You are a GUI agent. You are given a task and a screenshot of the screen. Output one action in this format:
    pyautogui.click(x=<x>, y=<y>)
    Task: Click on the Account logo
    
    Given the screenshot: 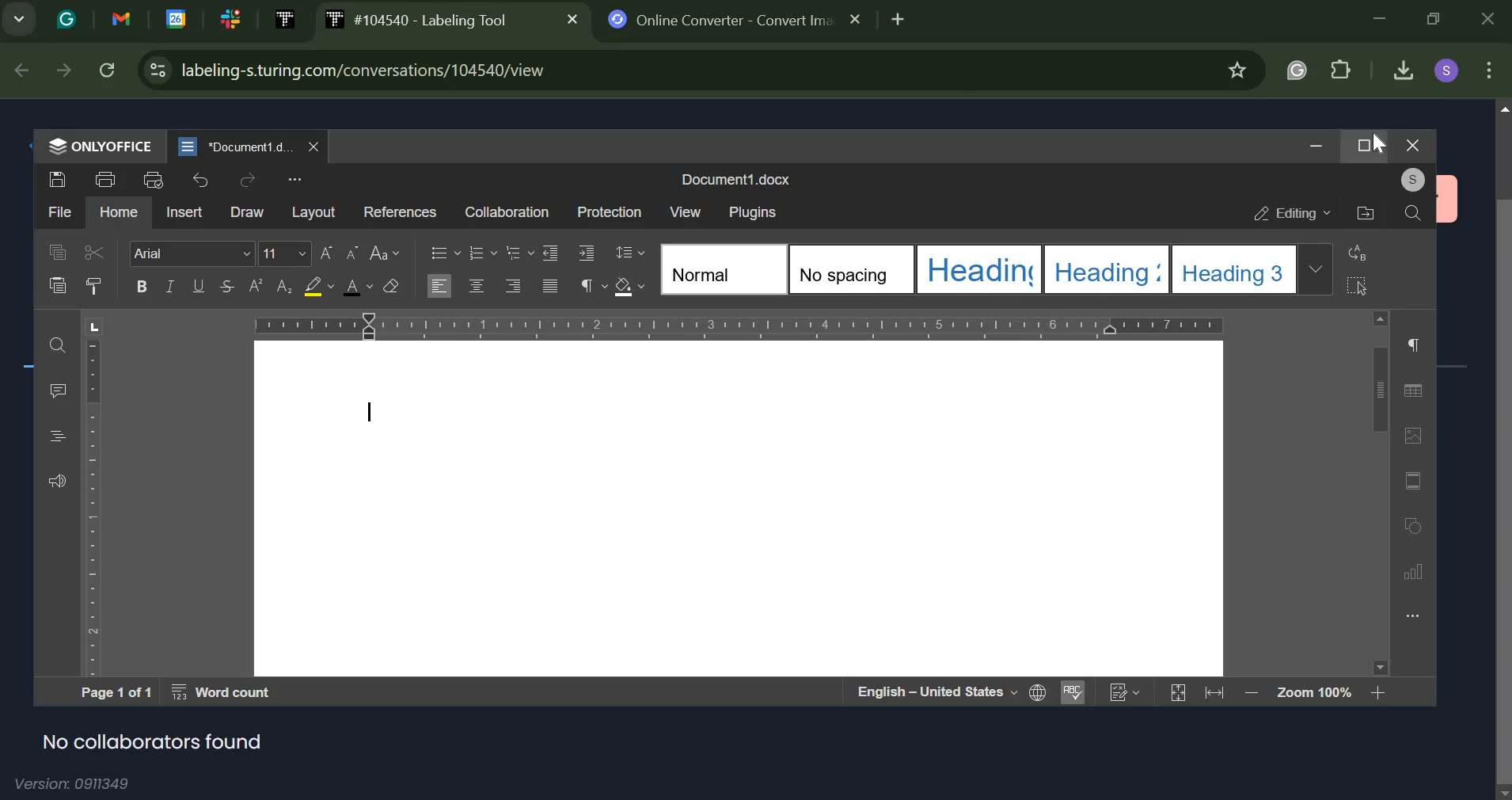 What is the action you would take?
    pyautogui.click(x=1446, y=69)
    